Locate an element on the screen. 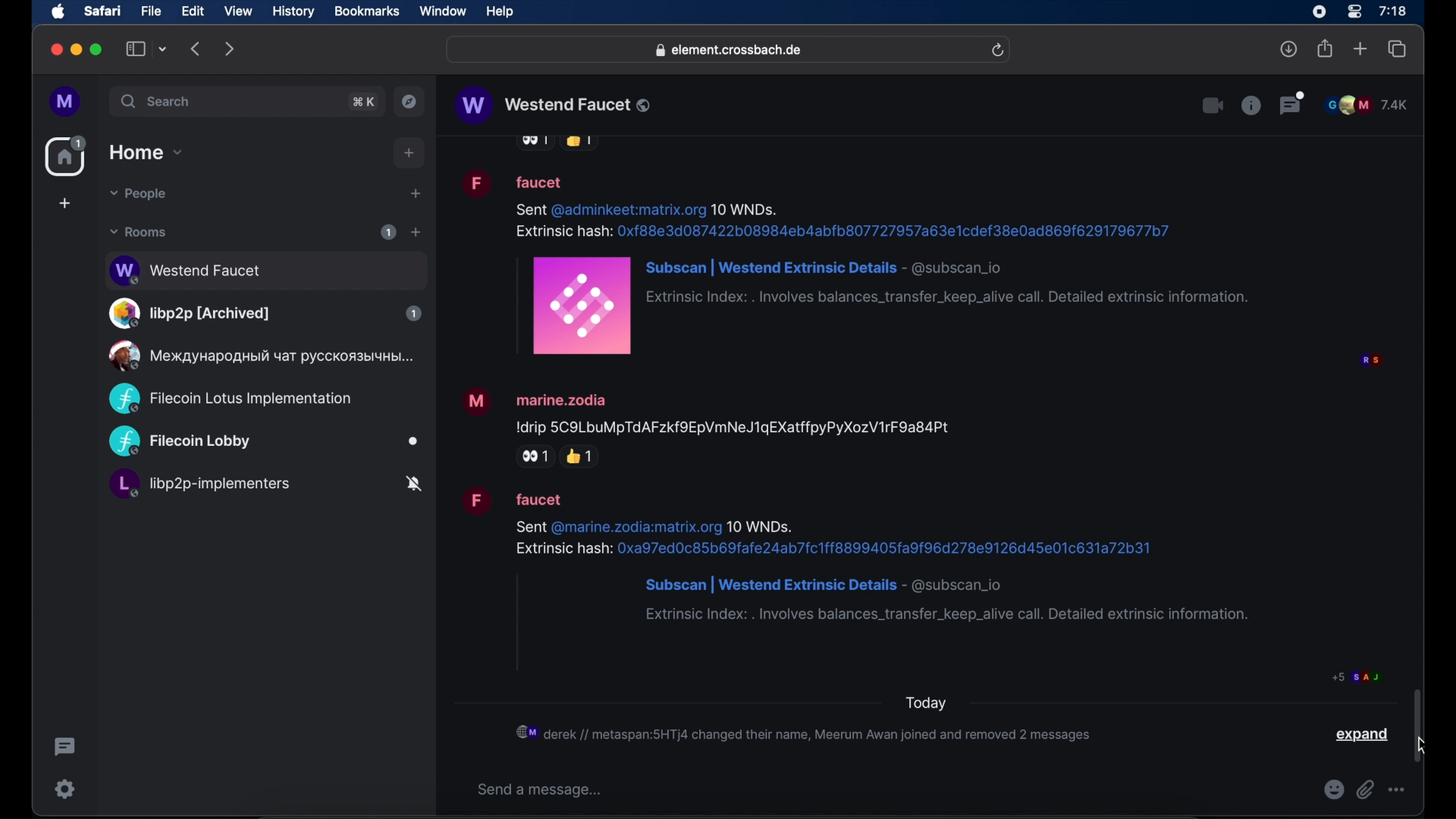  send a message is located at coordinates (542, 789).